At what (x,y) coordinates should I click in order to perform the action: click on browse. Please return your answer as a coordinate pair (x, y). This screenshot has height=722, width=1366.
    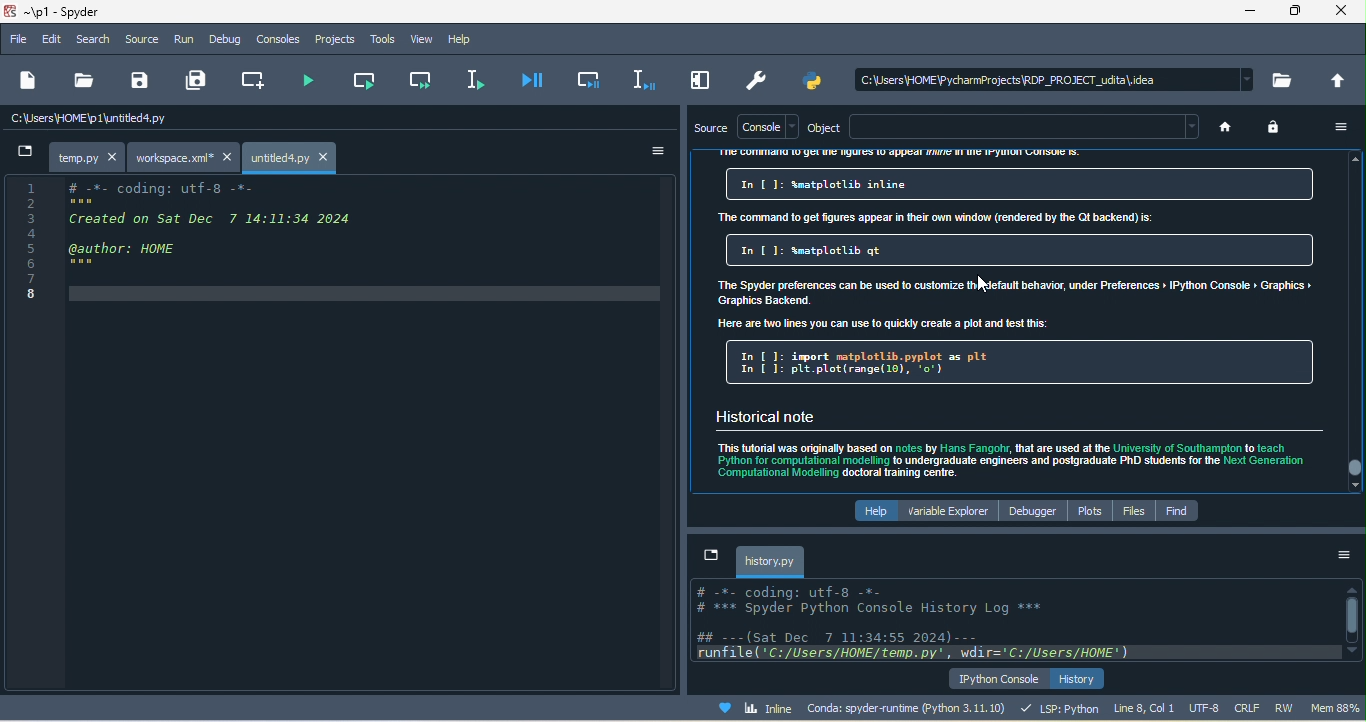
    Looking at the image, I should click on (1279, 80).